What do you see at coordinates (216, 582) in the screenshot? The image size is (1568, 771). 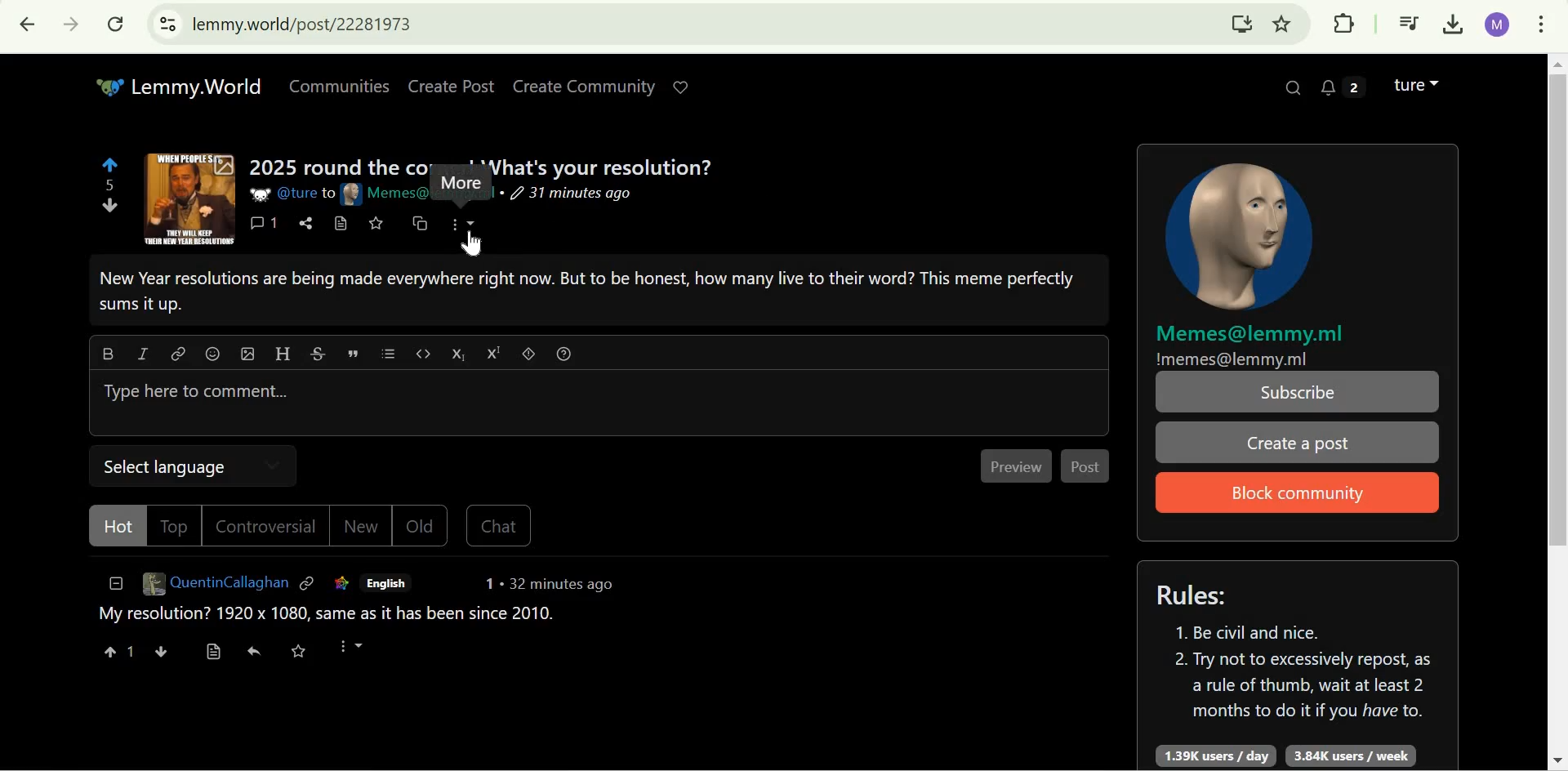 I see `QuentinCallaghan` at bounding box center [216, 582].